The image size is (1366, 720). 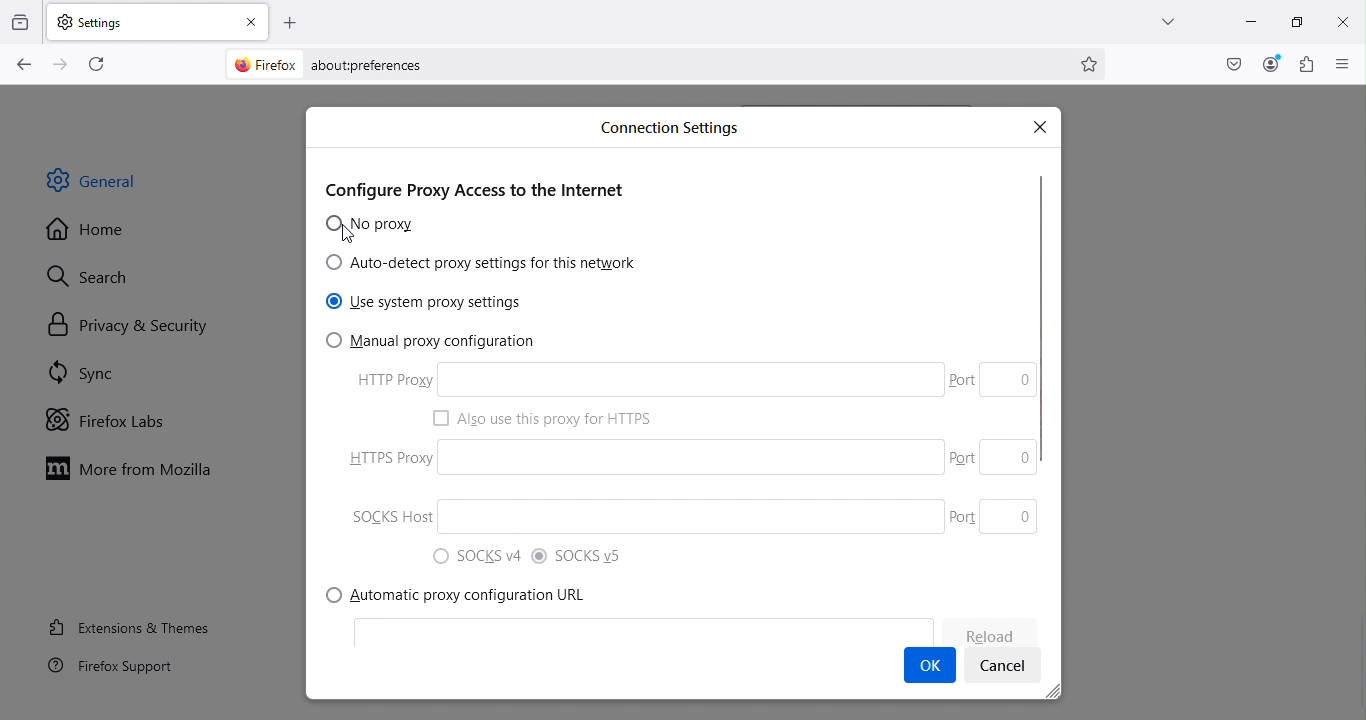 I want to click on Auto-detect proxy settings for this network, so click(x=484, y=265).